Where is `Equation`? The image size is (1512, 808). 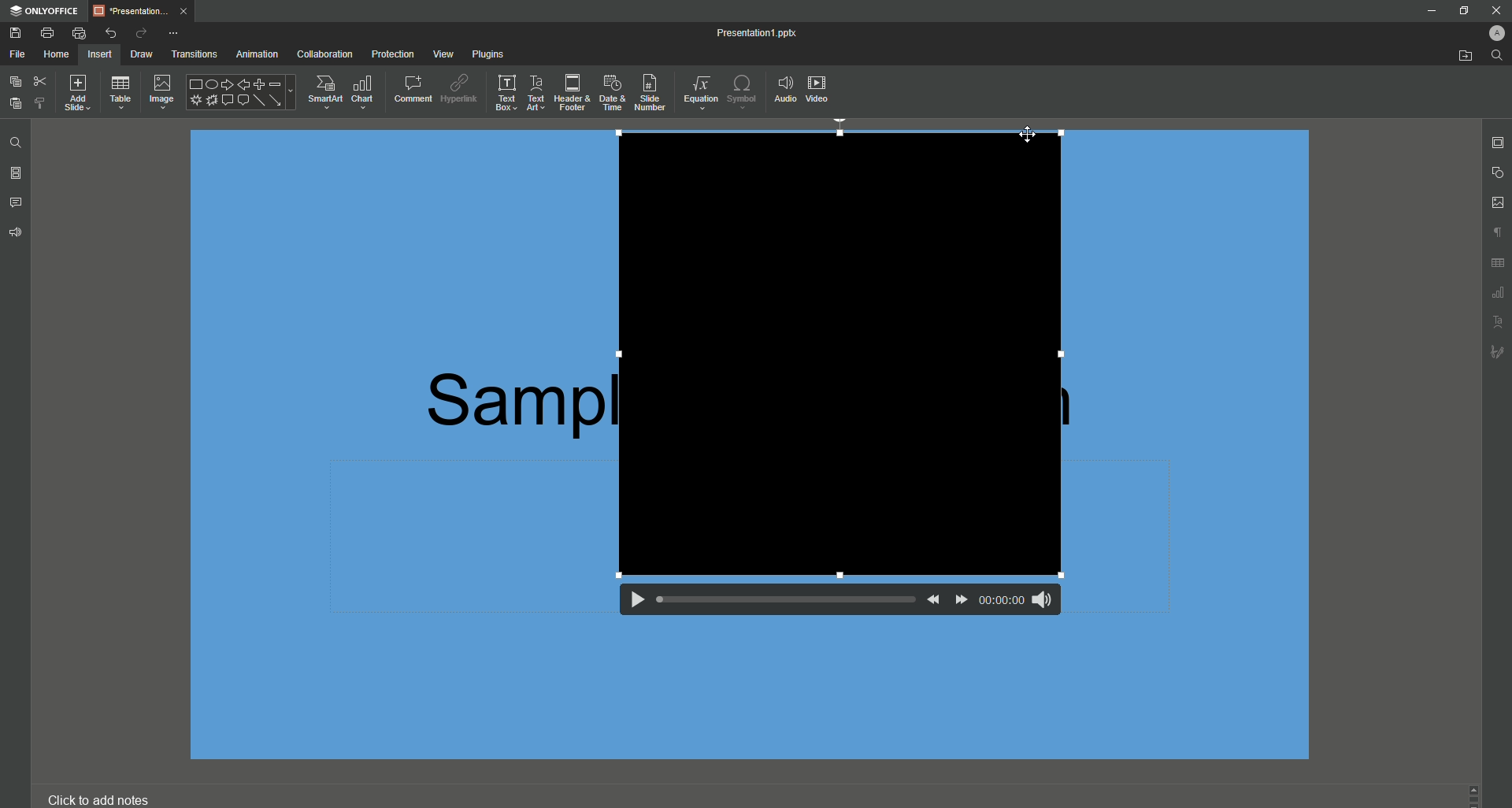 Equation is located at coordinates (702, 95).